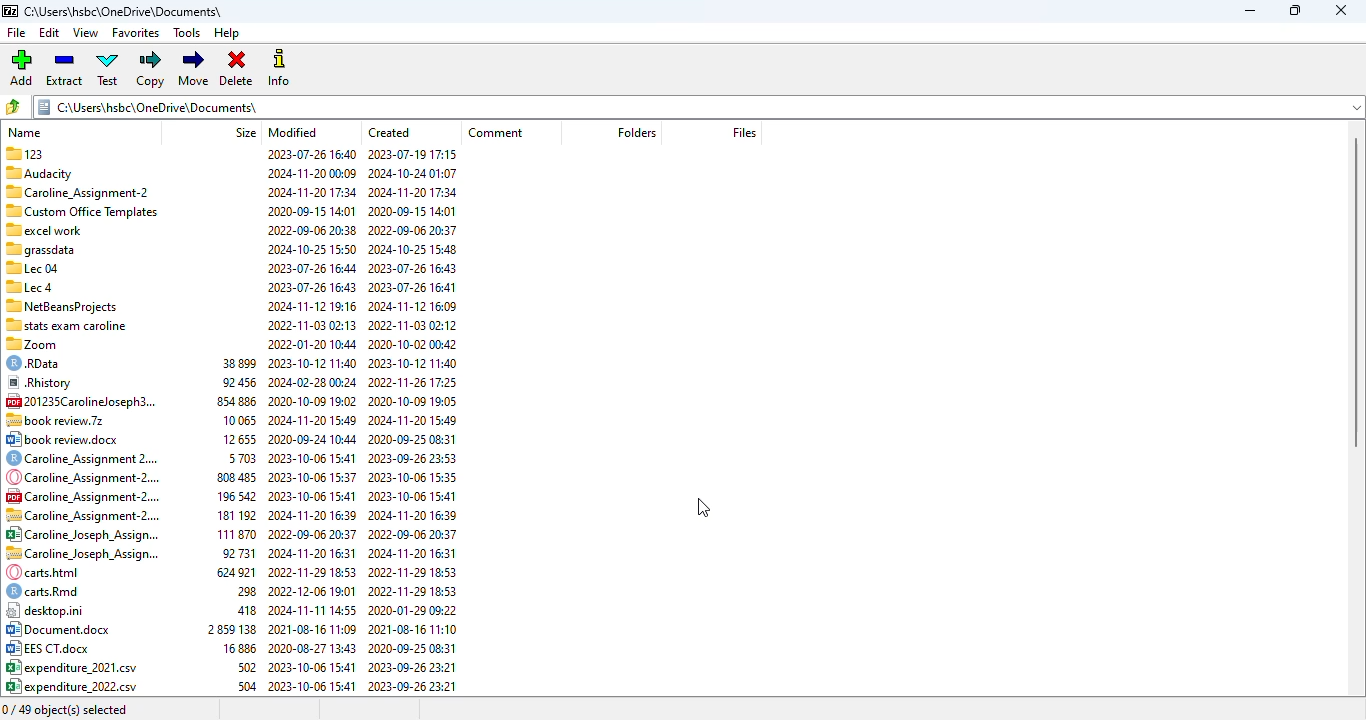 The width and height of the screenshot is (1366, 720). What do you see at coordinates (231, 495) in the screenshot?
I see ` Caroline Assignment-2.... 181192 2024-11-20 16:39 2024-11-20 16:39` at bounding box center [231, 495].